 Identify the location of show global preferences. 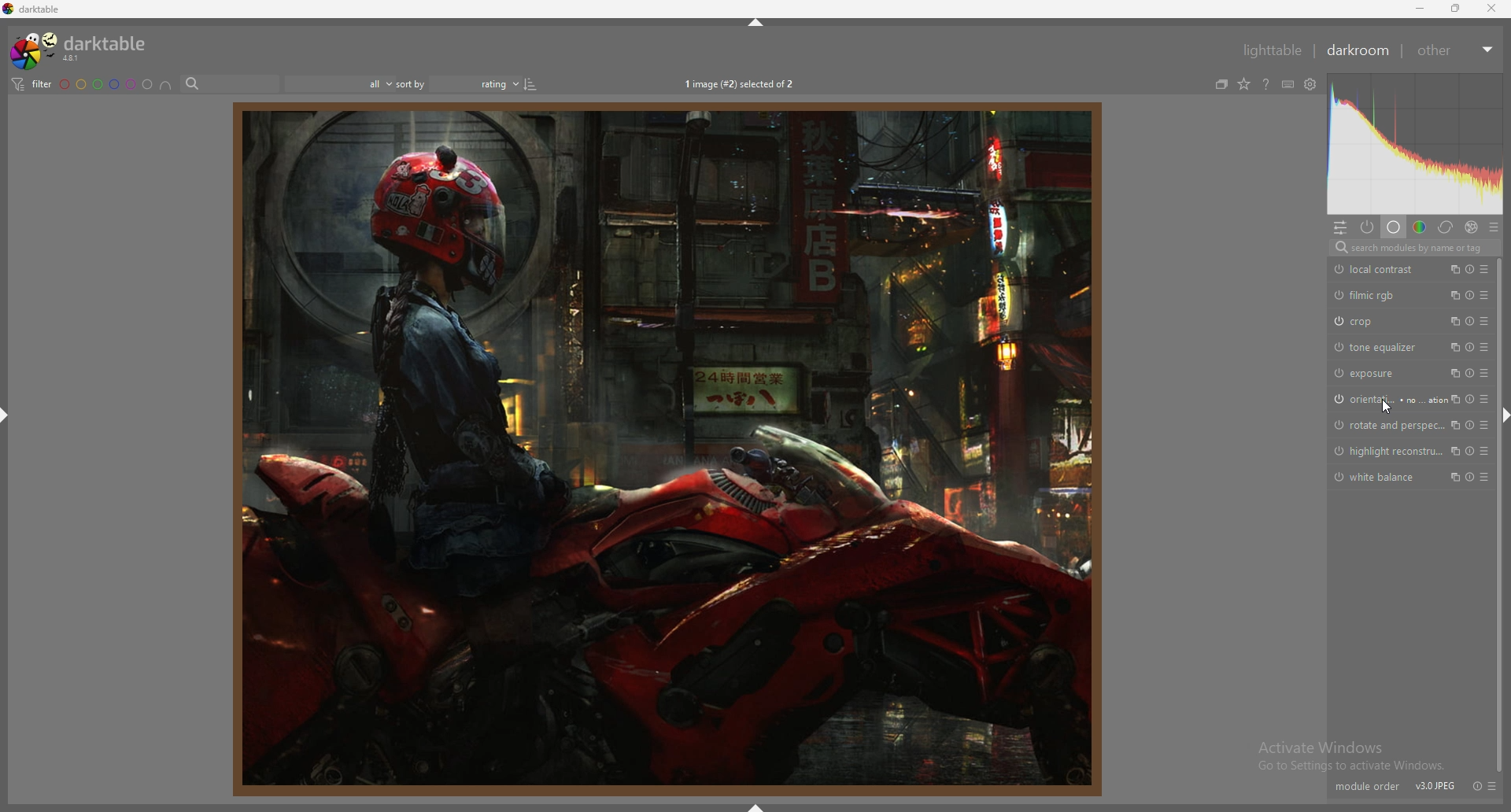
(1310, 84).